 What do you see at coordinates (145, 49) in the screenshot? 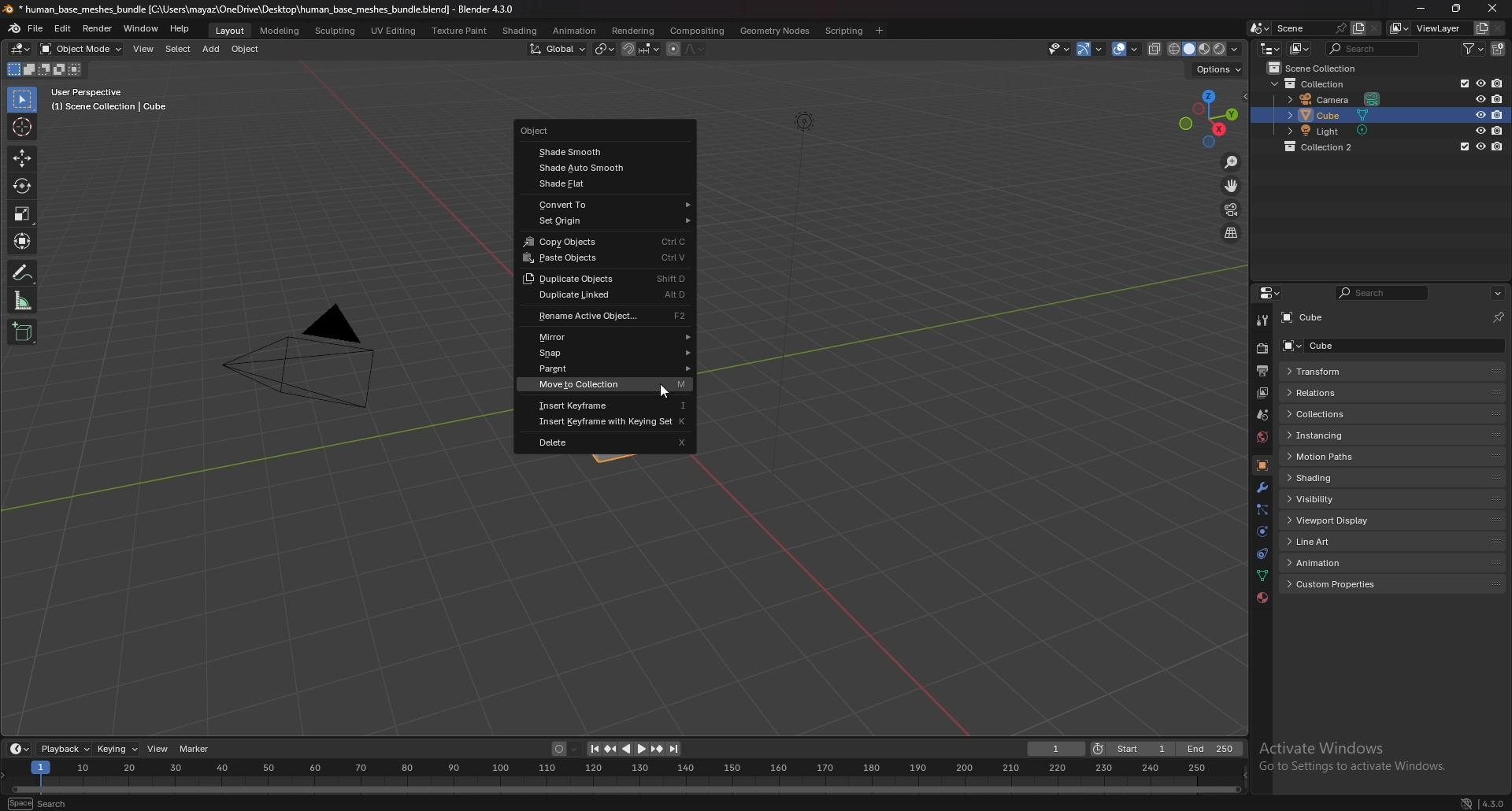
I see `view` at bounding box center [145, 49].